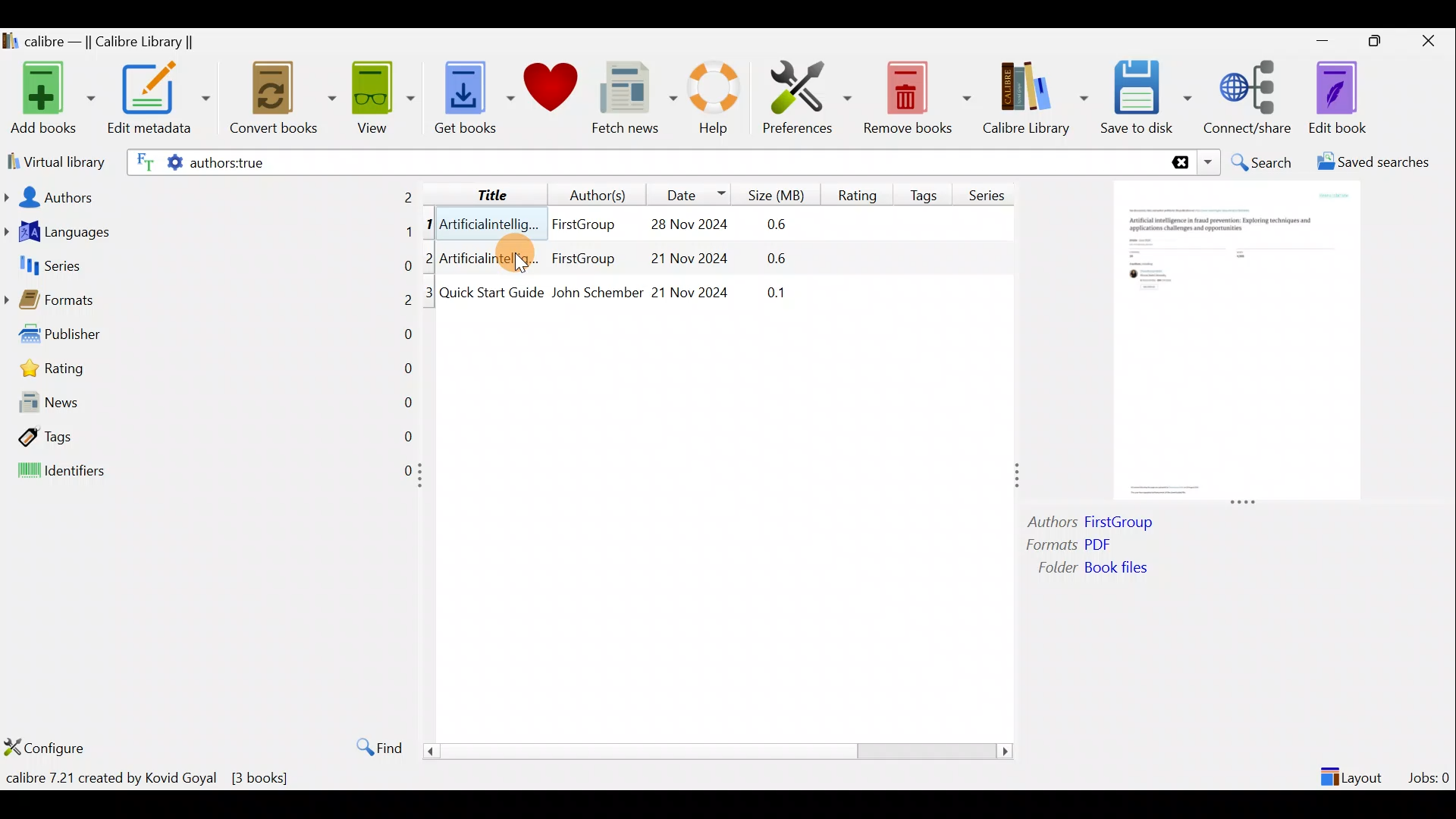 The height and width of the screenshot is (819, 1456). What do you see at coordinates (1018, 477) in the screenshot?
I see `Adjust column to the right` at bounding box center [1018, 477].